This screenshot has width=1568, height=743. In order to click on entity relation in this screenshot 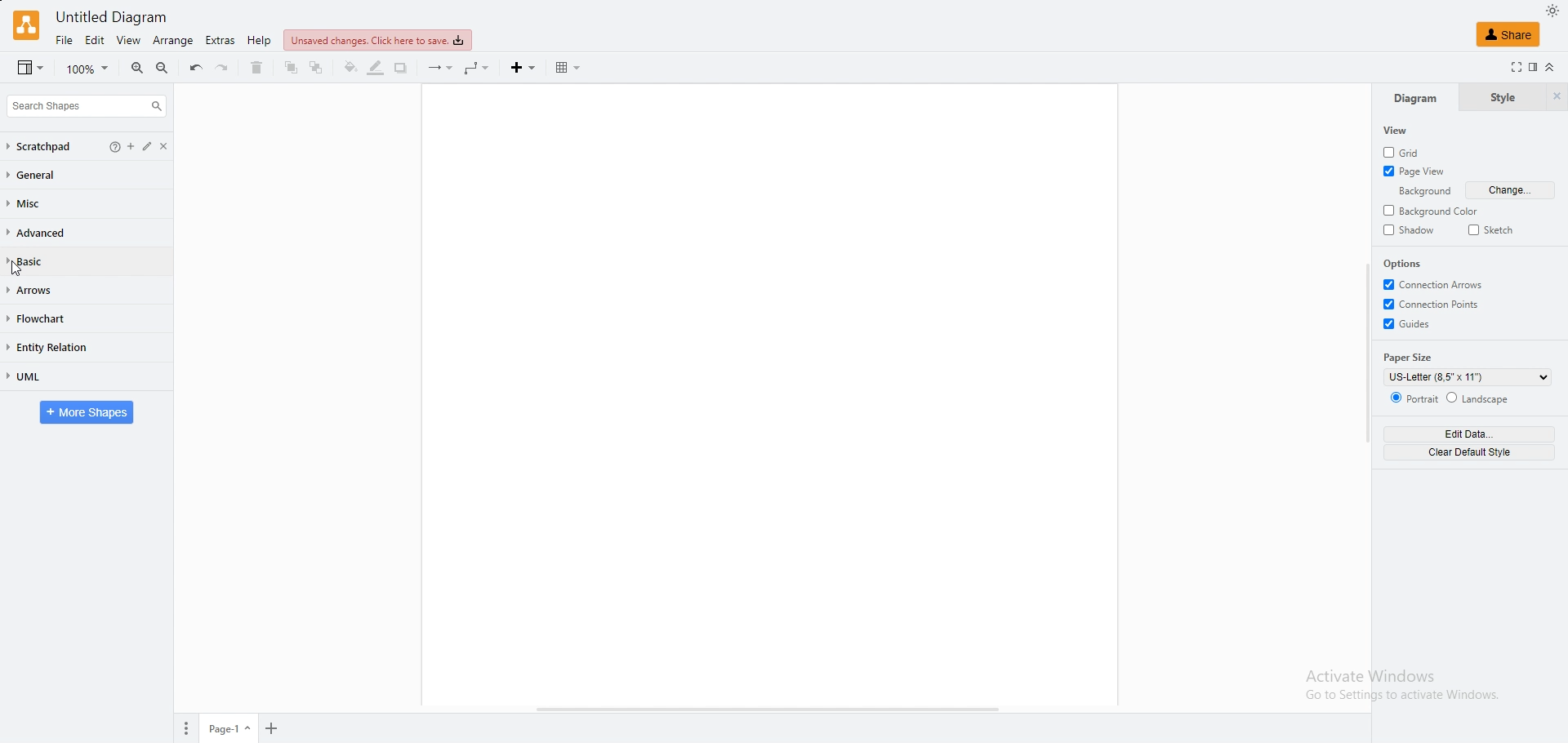, I will do `click(57, 348)`.